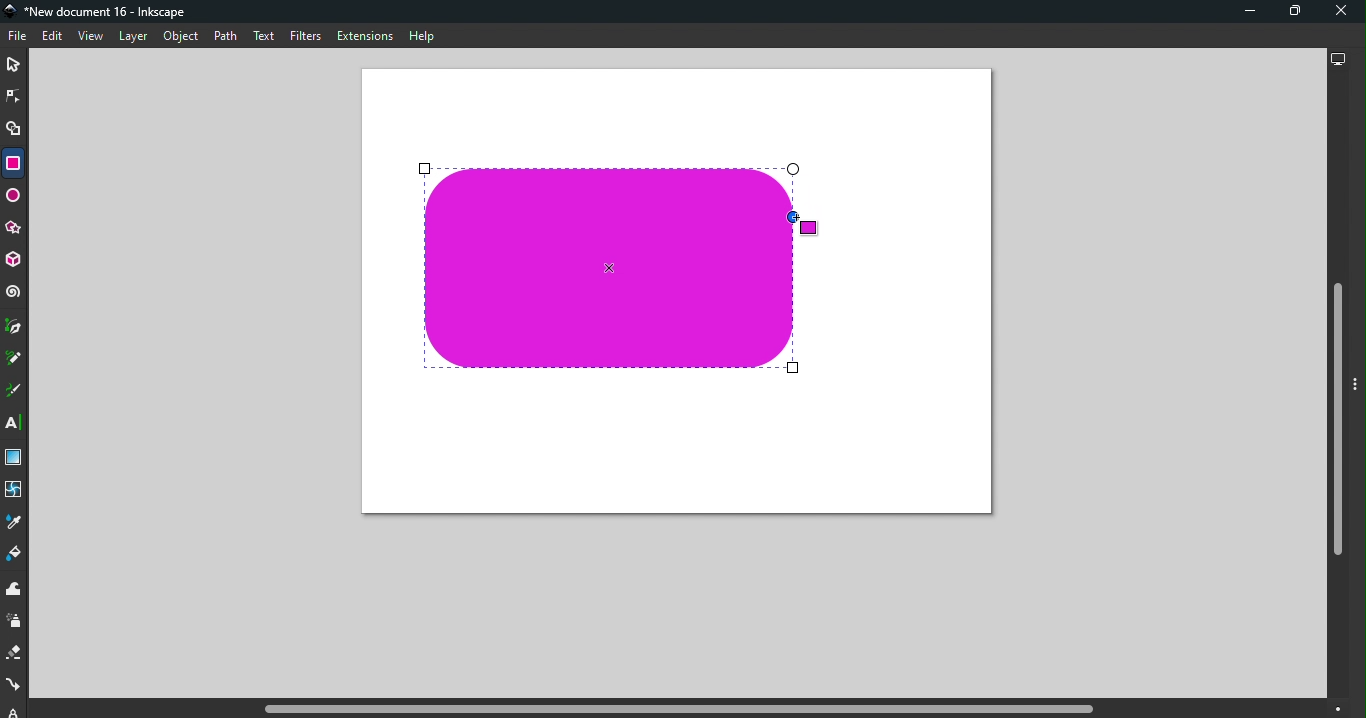  I want to click on Node tool, so click(14, 95).